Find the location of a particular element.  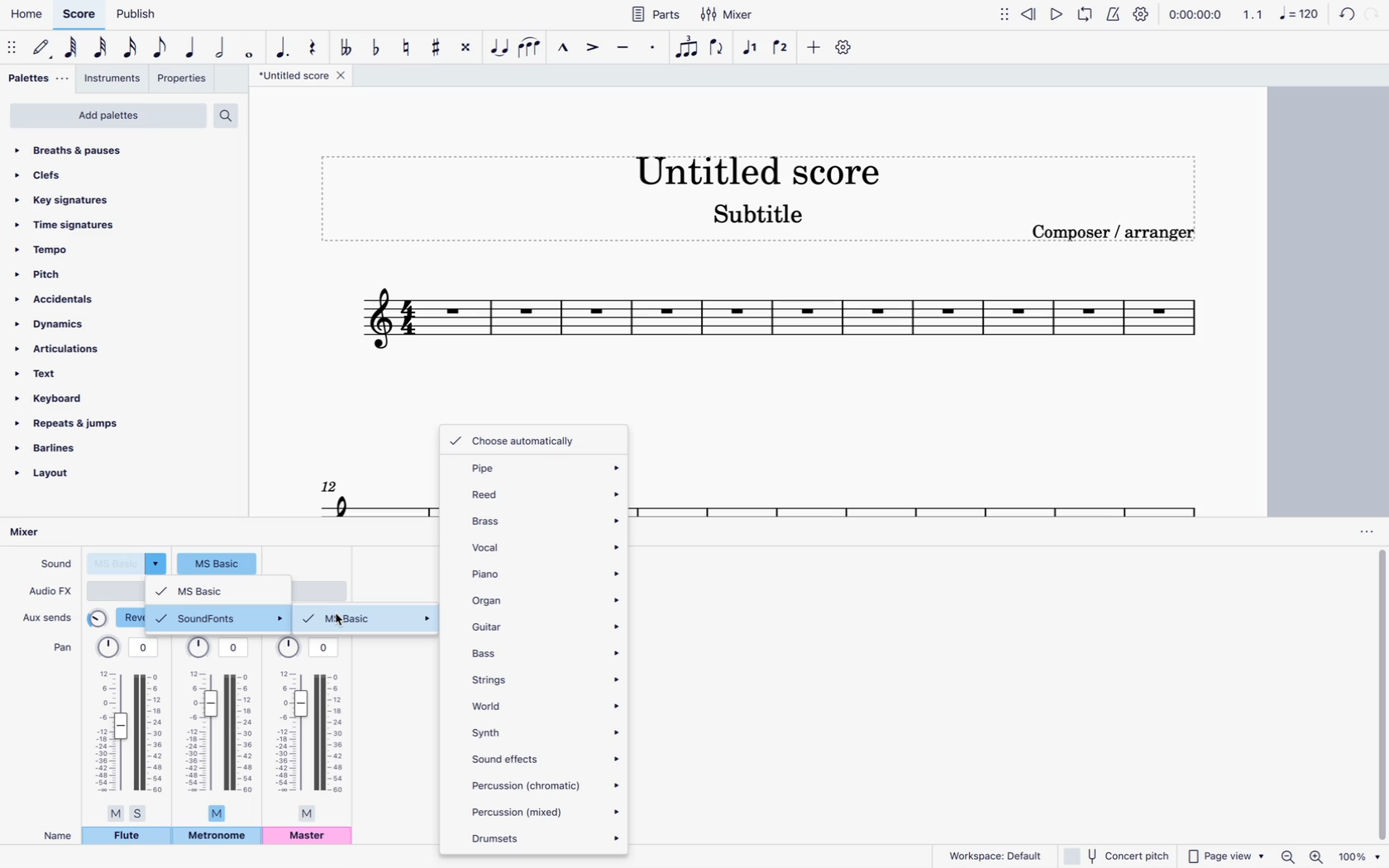

pan is located at coordinates (61, 646).